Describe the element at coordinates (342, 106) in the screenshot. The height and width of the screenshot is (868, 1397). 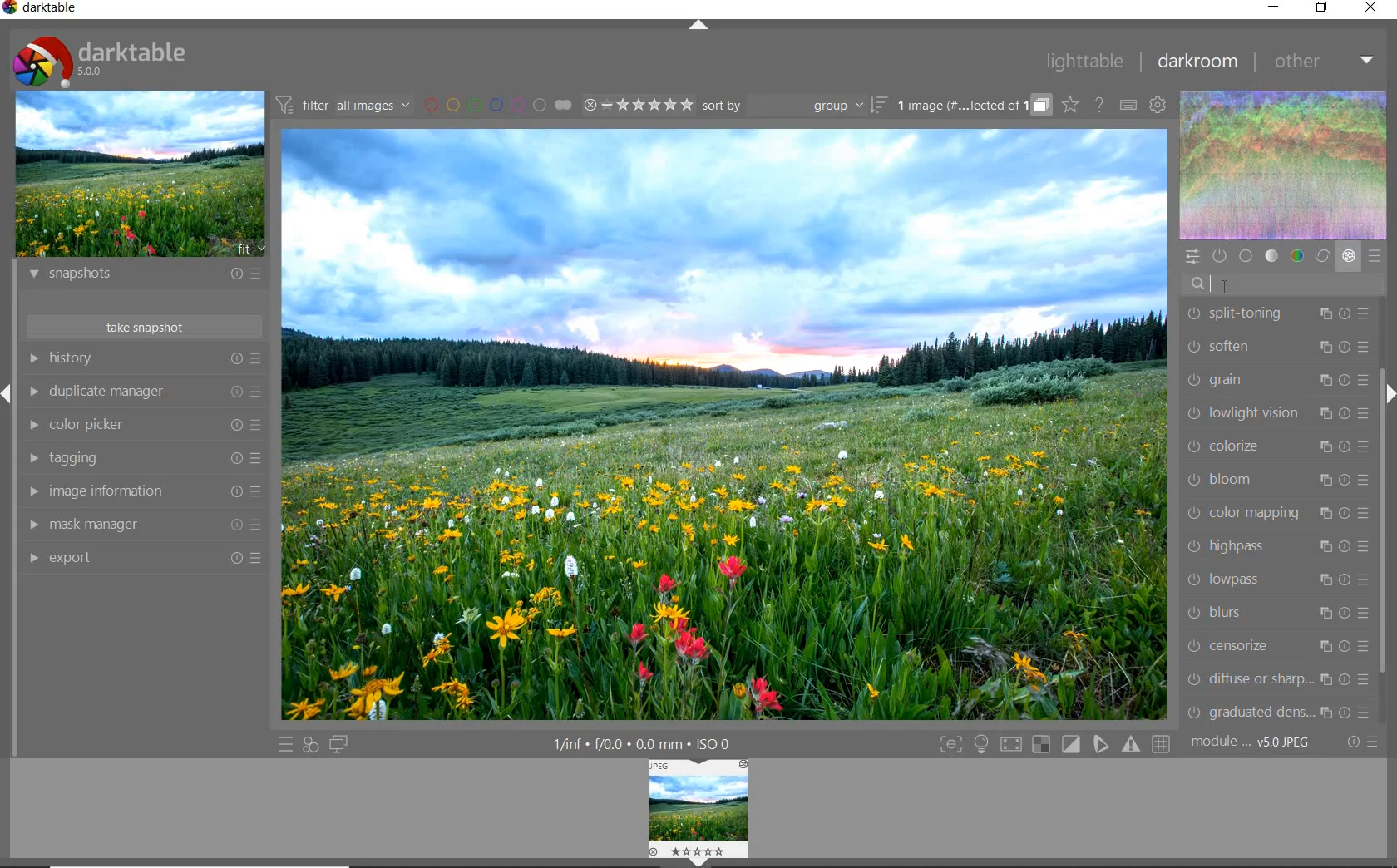
I see `filter all images by module order` at that location.